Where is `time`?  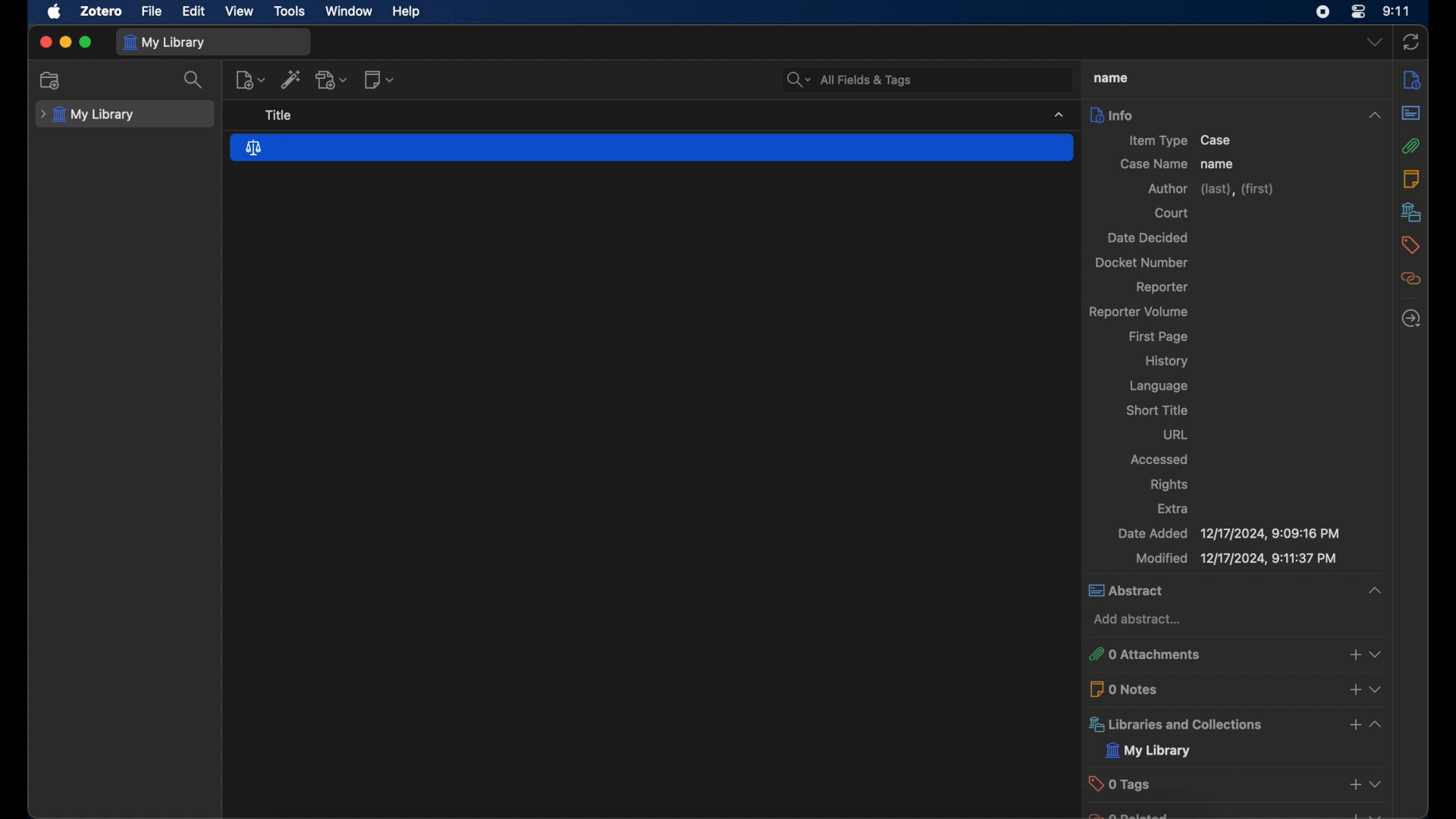 time is located at coordinates (1396, 11).